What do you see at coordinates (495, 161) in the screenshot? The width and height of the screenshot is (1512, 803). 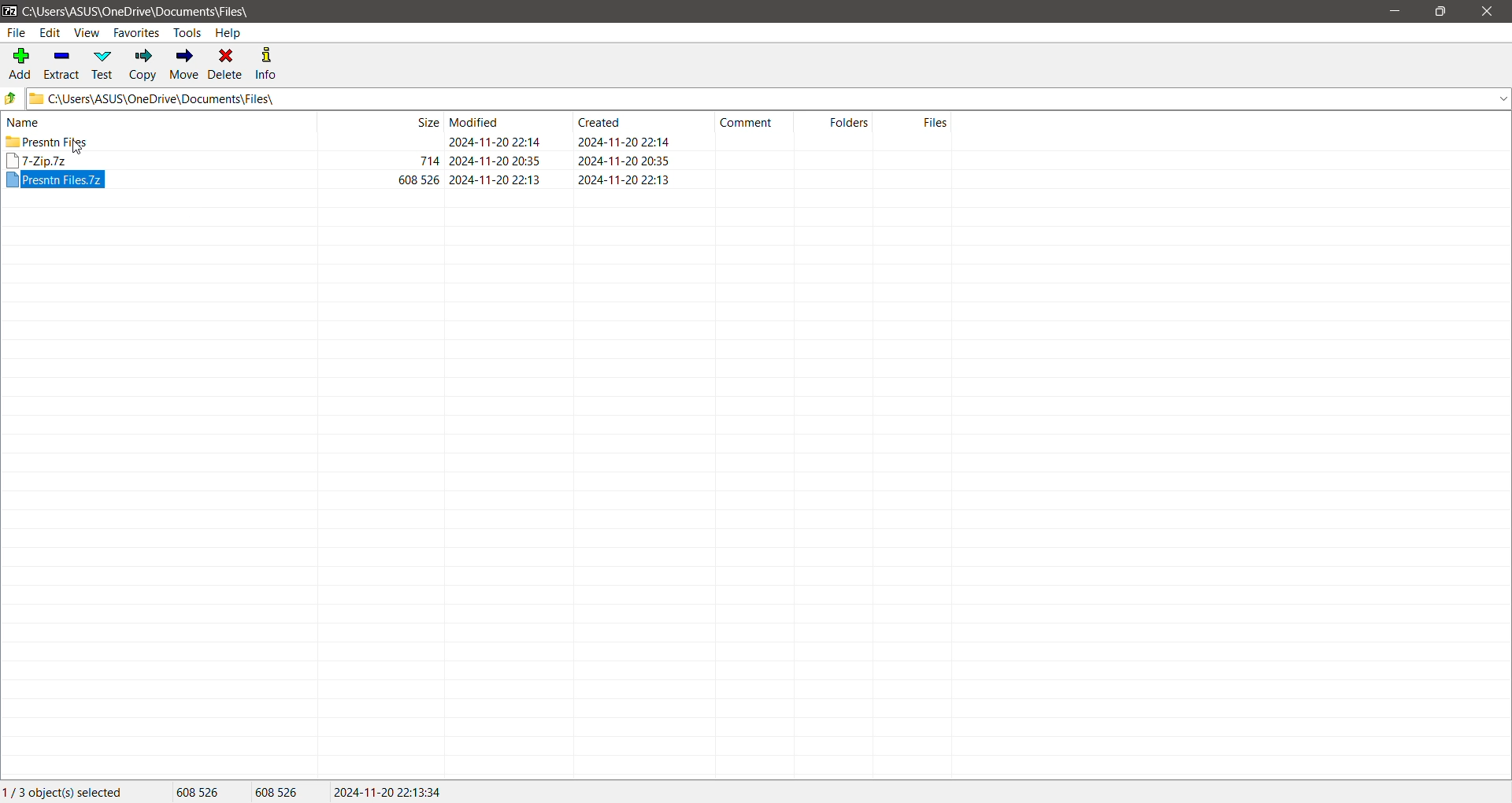 I see `modified date & time` at bounding box center [495, 161].